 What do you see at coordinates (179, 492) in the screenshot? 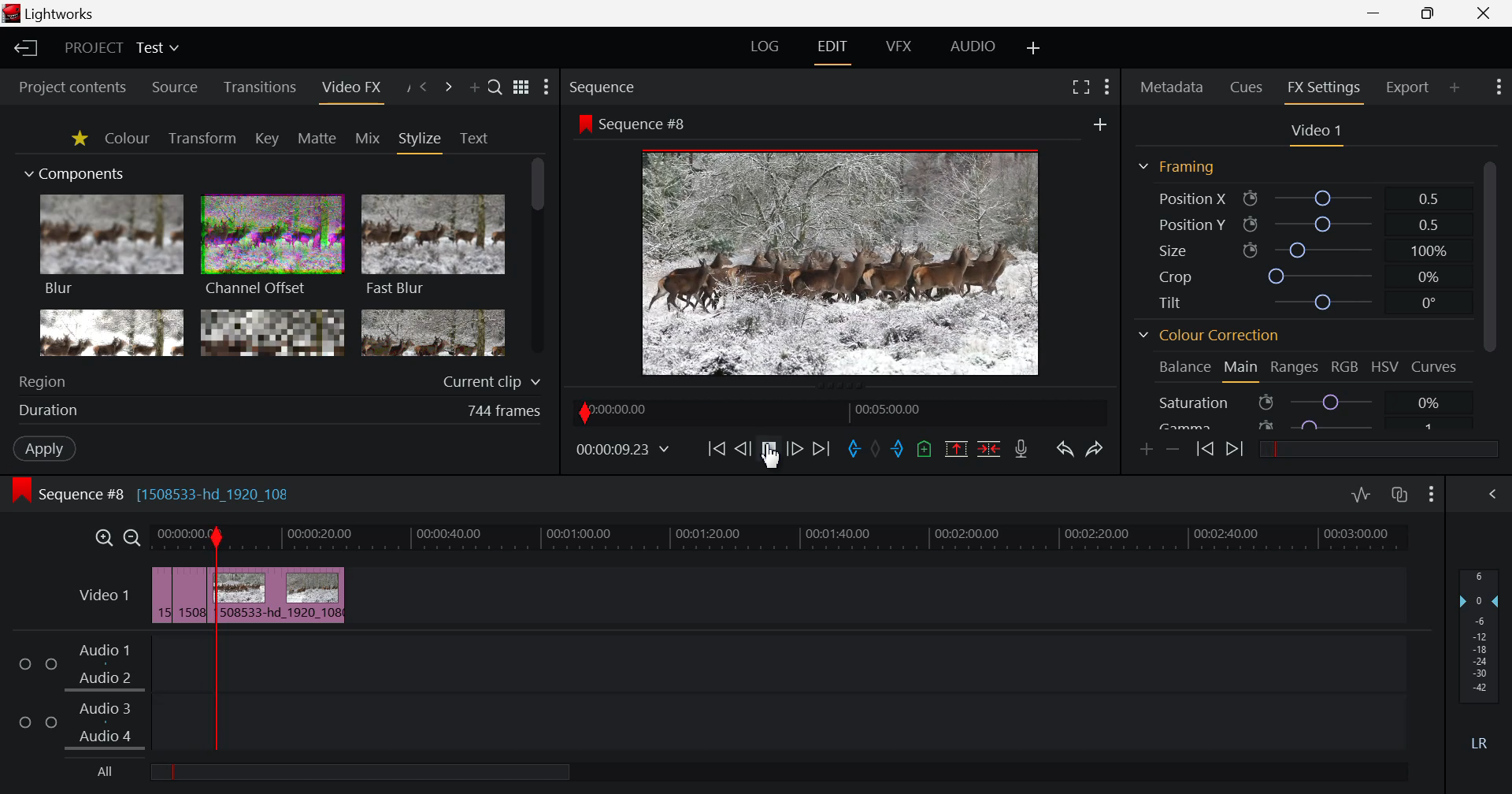
I see `Sequence #8 [1508533-hd_1920_108` at bounding box center [179, 492].